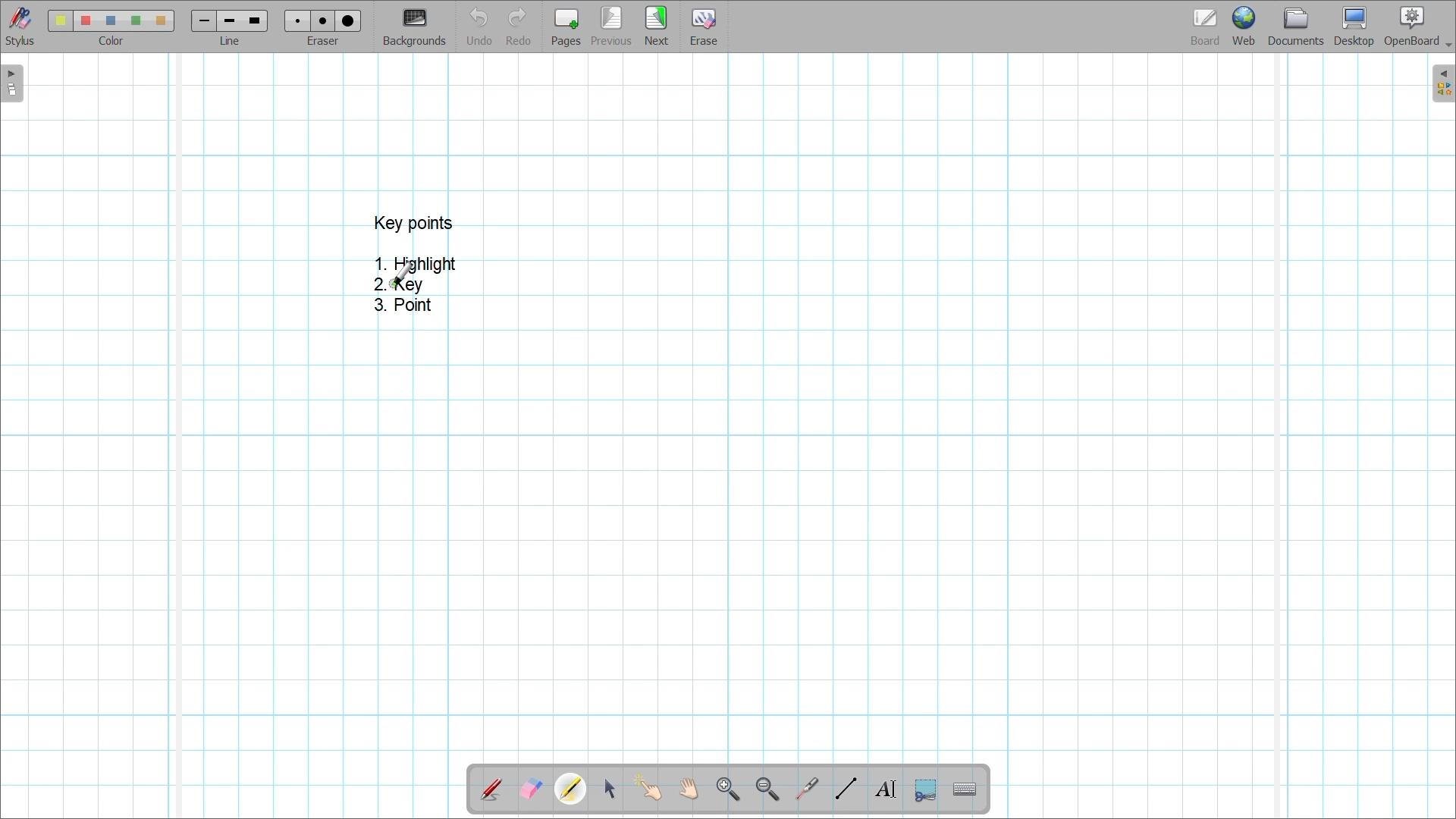  I want to click on Add page, so click(566, 27).